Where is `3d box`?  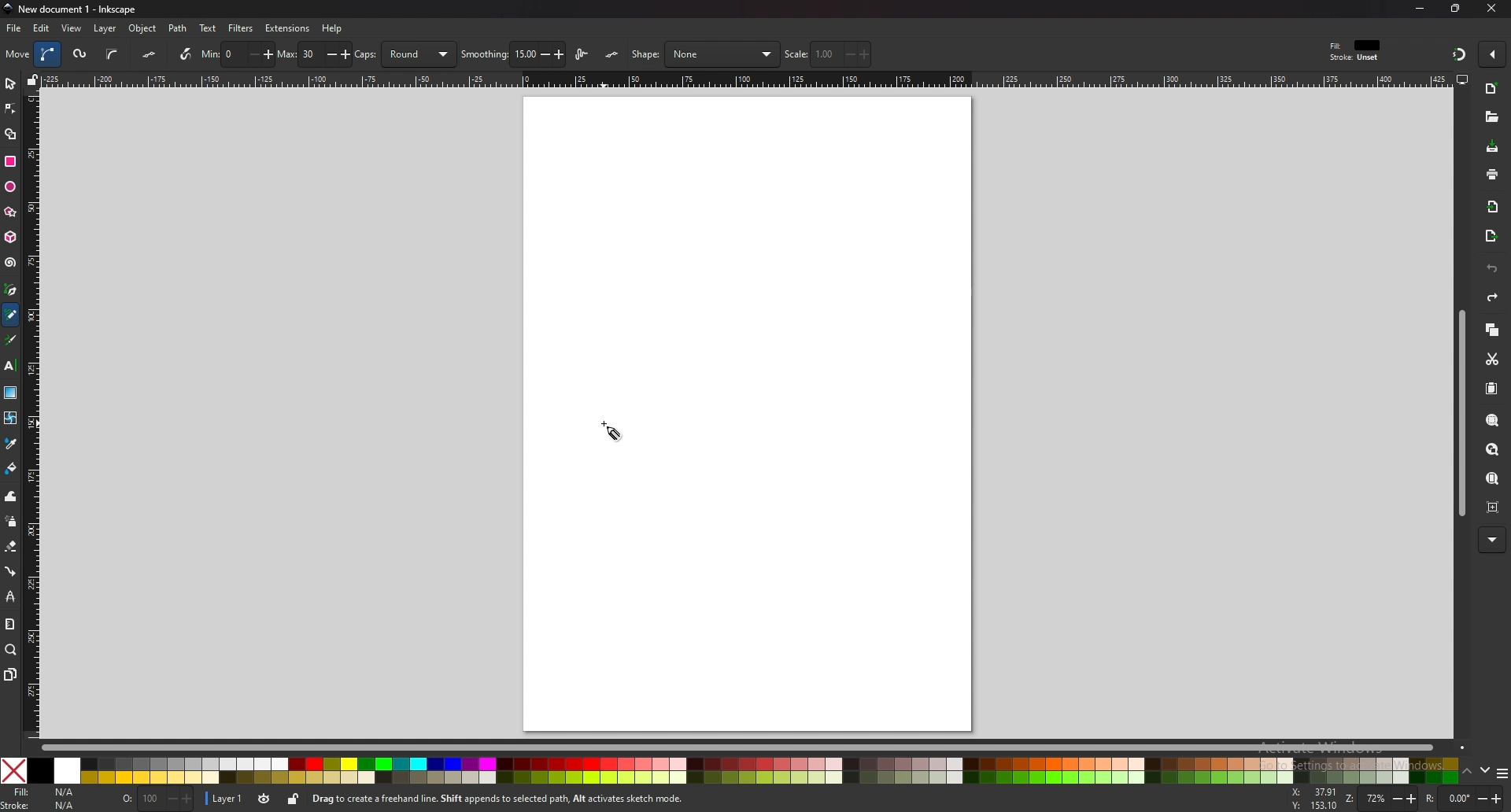 3d box is located at coordinates (10, 238).